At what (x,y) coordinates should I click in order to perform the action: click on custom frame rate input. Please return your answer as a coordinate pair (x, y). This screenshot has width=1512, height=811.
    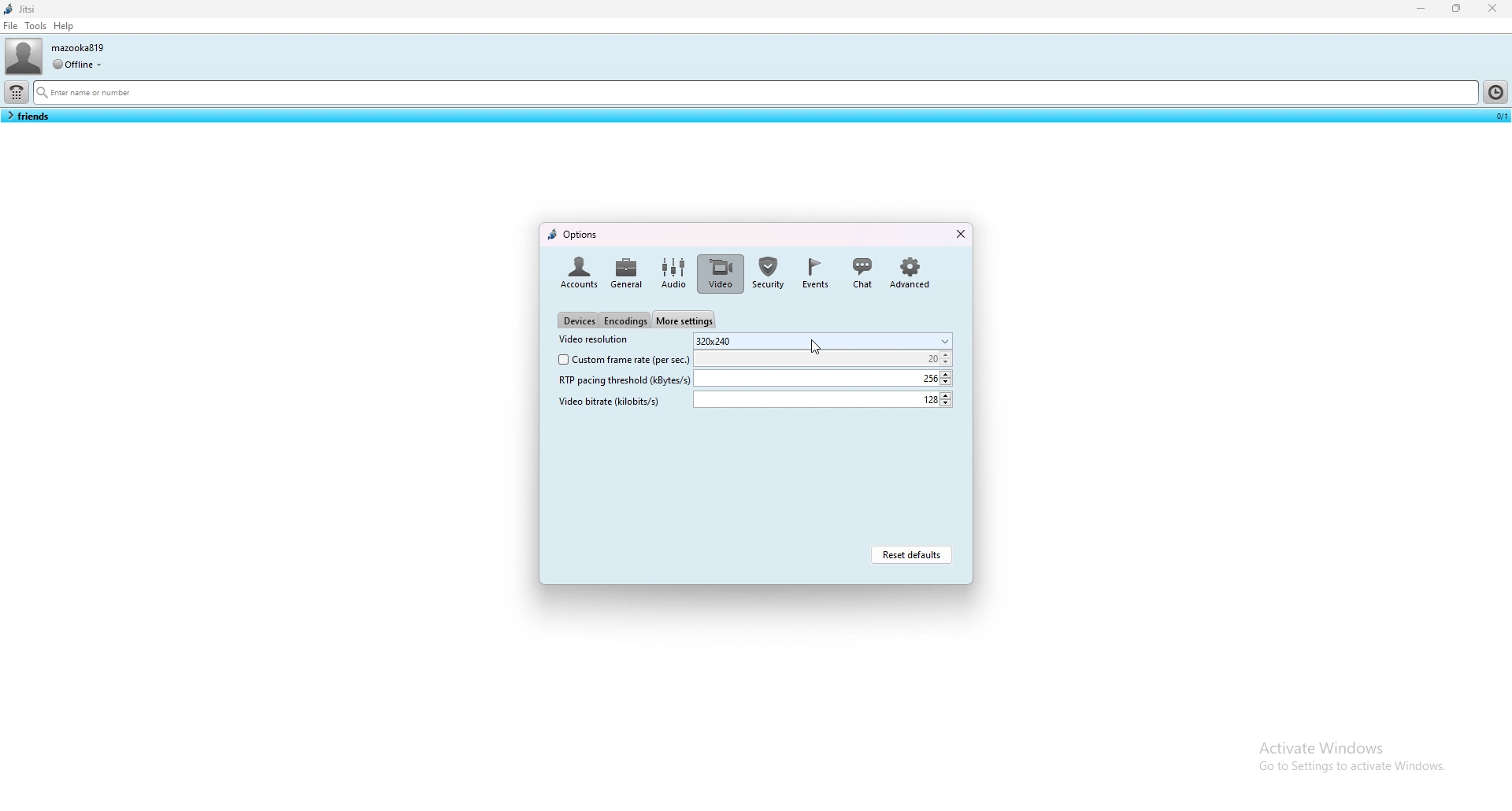
    Looking at the image, I should click on (825, 359).